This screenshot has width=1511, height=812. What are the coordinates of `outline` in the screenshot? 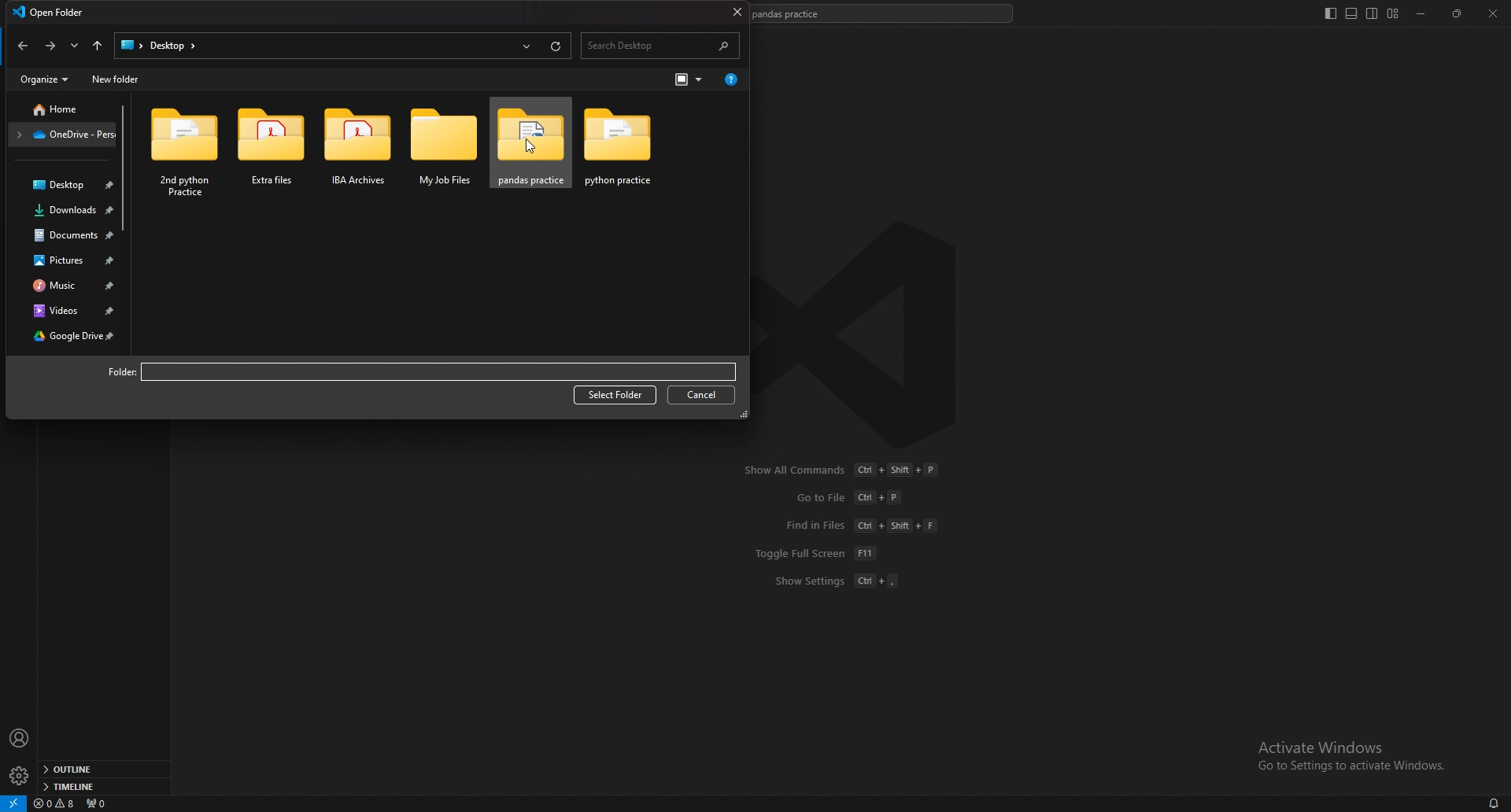 It's located at (101, 770).